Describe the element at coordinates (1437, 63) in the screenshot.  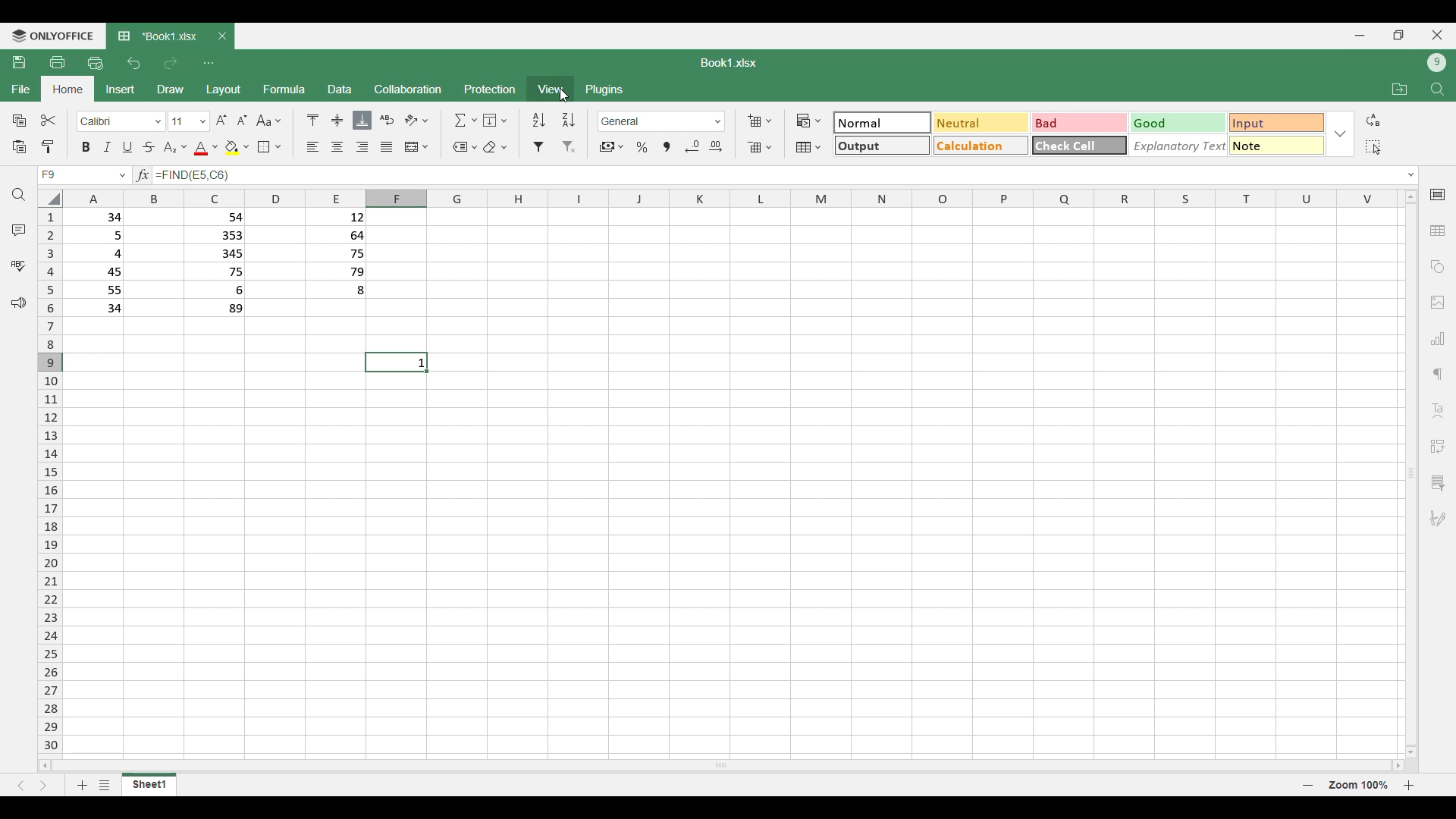
I see `Current account` at that location.